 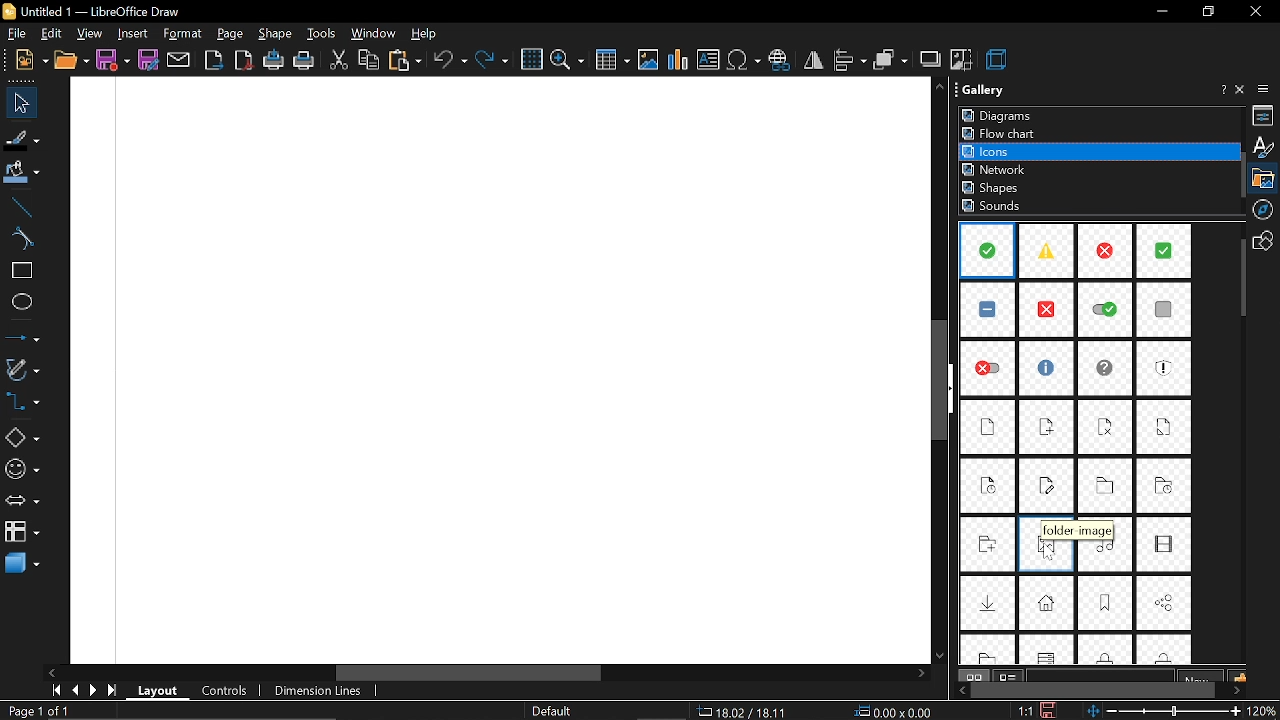 I want to click on copy, so click(x=369, y=62).